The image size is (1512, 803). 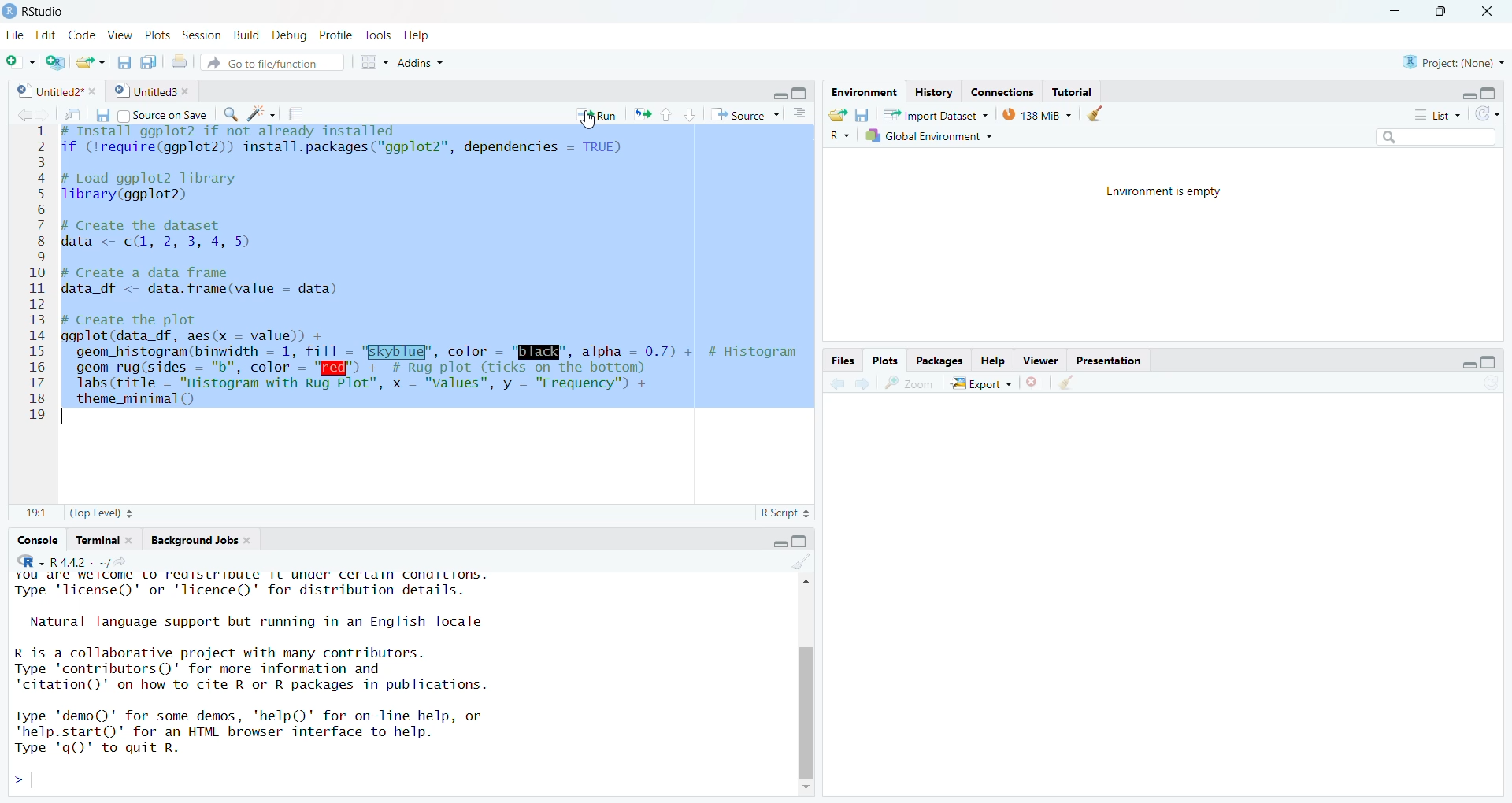 I want to click on # Global Environment +, so click(x=928, y=134).